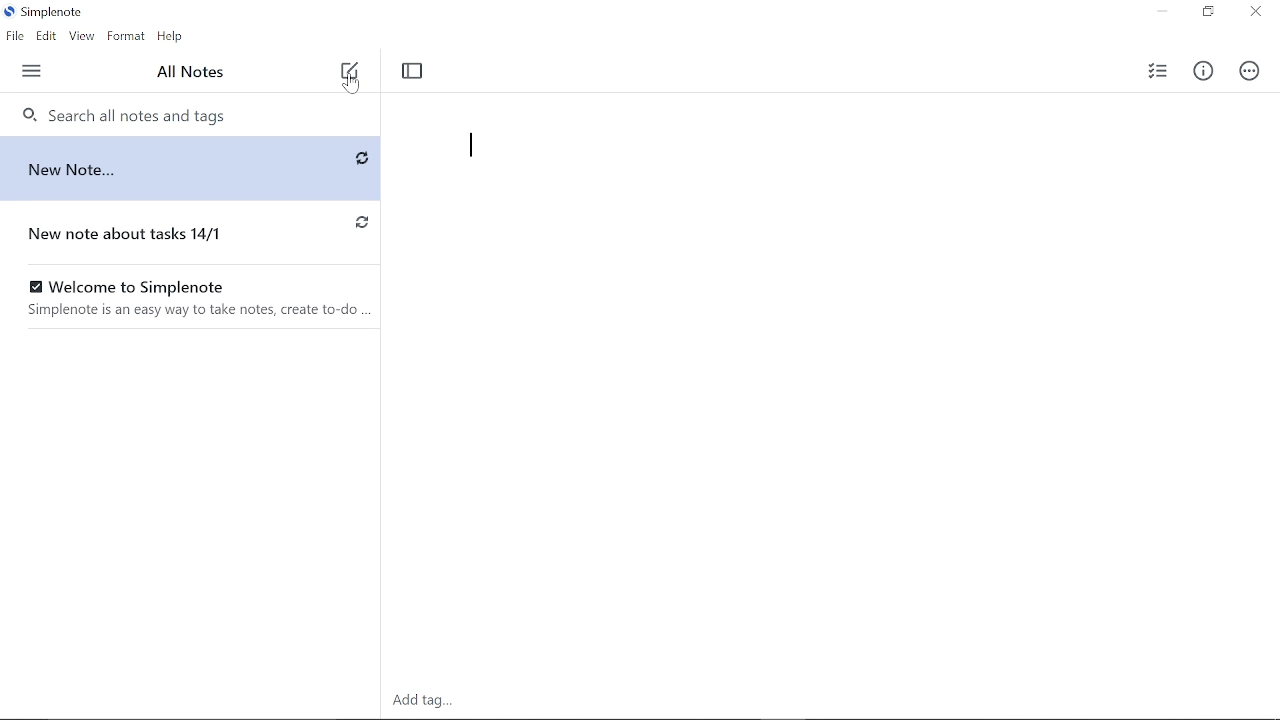 This screenshot has width=1280, height=720. What do you see at coordinates (432, 699) in the screenshot?
I see `Add tag...` at bounding box center [432, 699].